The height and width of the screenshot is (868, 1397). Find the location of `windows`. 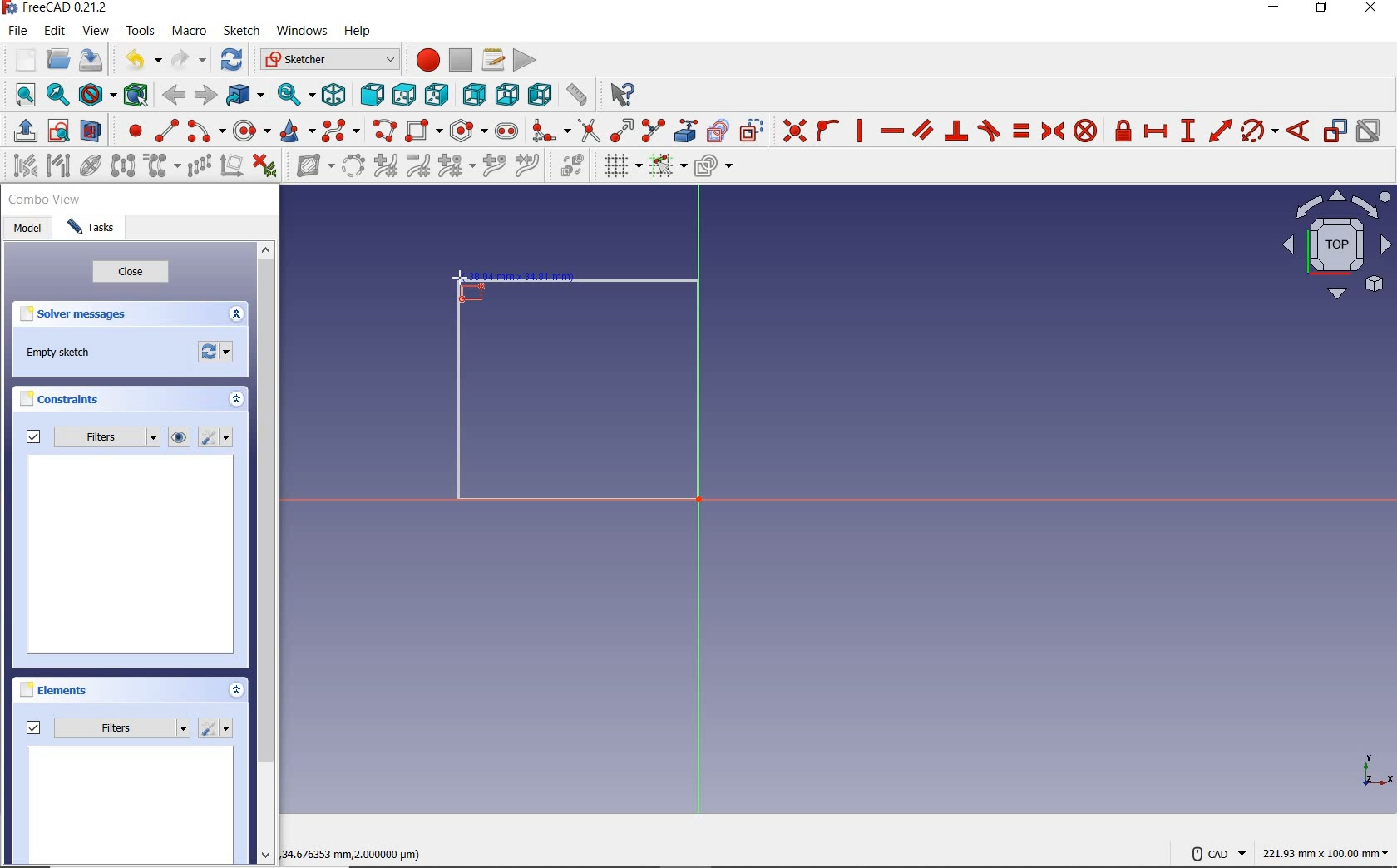

windows is located at coordinates (302, 32).